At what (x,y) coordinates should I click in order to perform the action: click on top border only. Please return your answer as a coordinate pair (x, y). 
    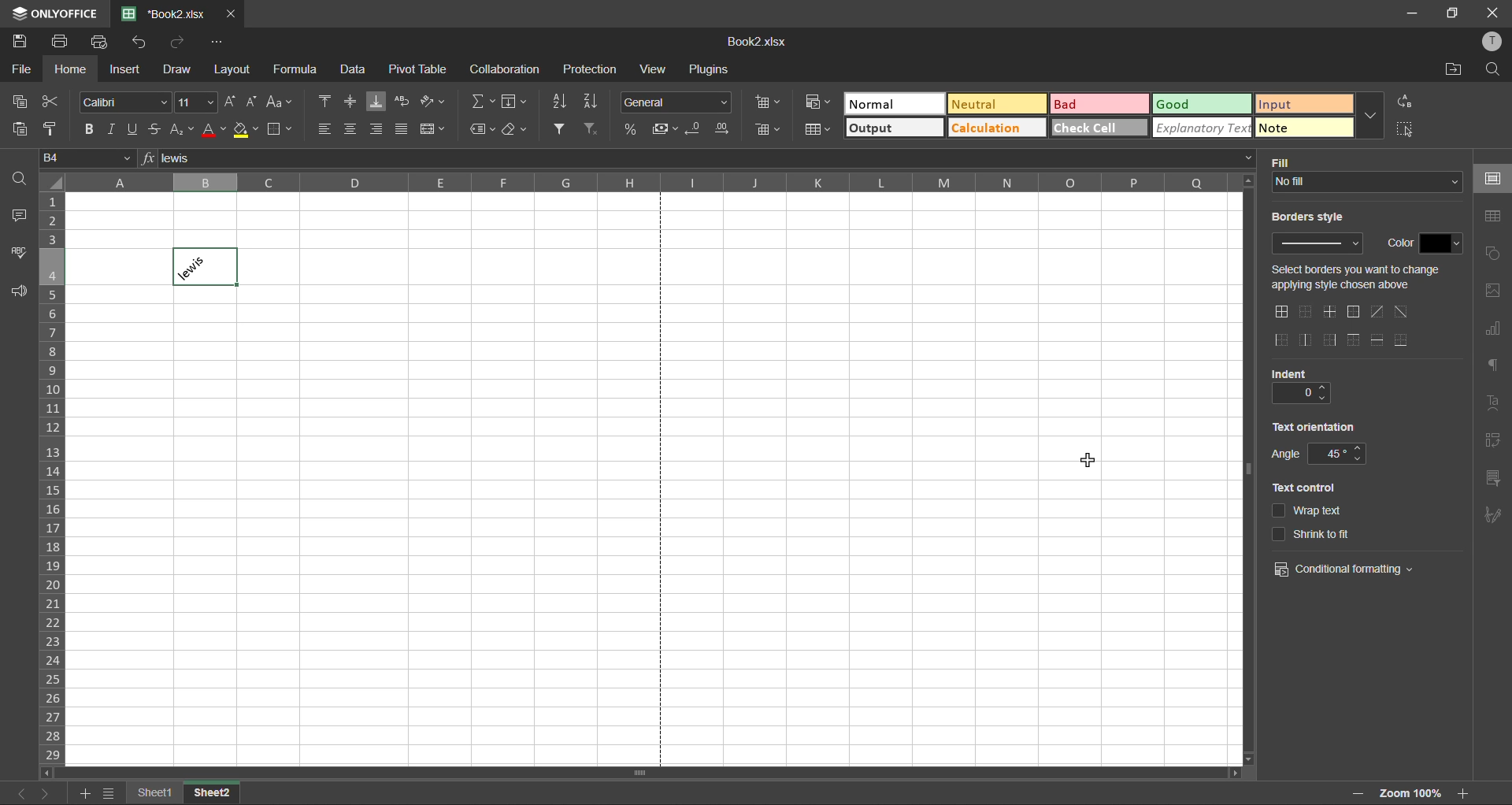
    Looking at the image, I should click on (1356, 339).